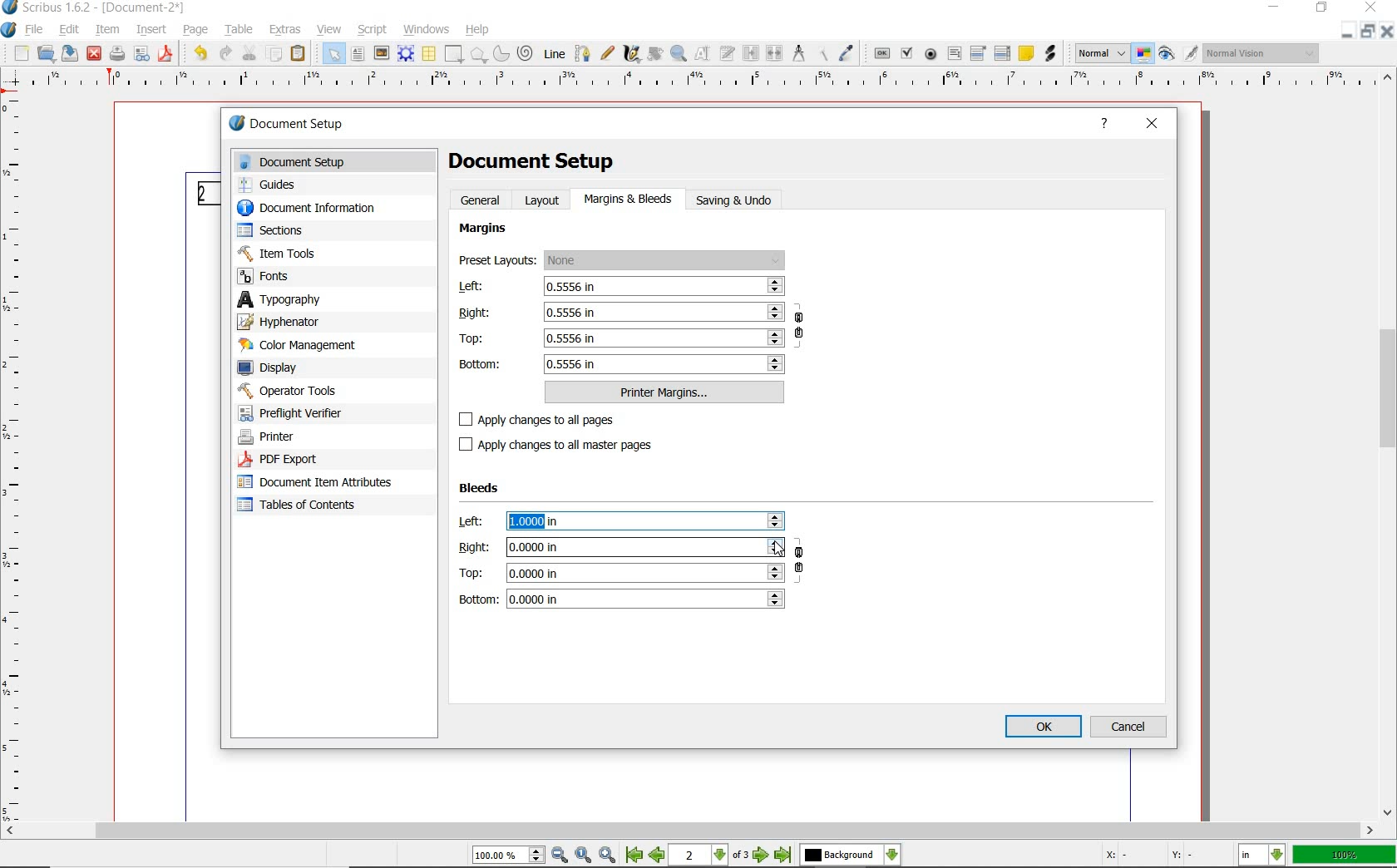 The width and height of the screenshot is (1397, 868). I want to click on cut, so click(249, 52).